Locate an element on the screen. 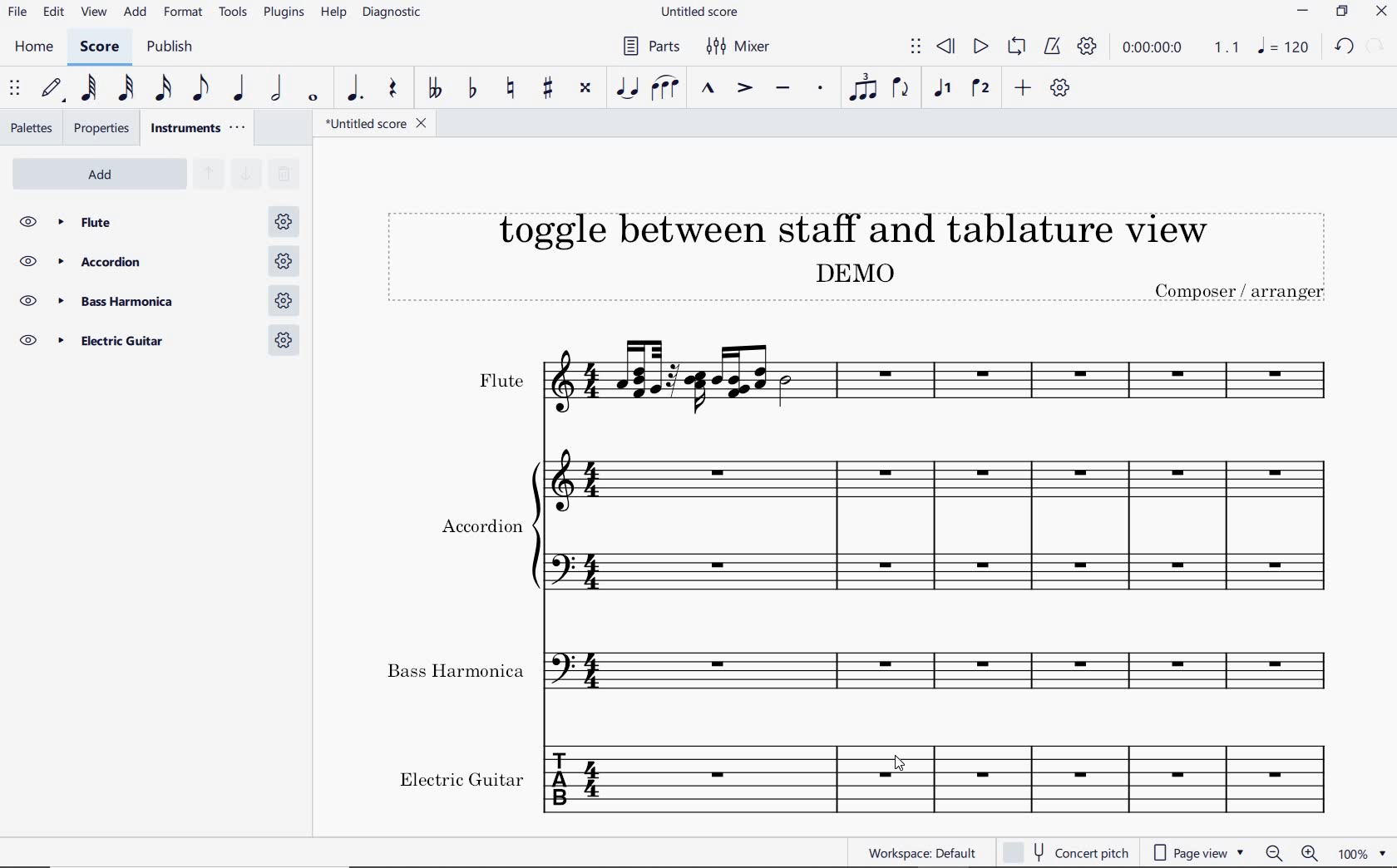  loop playback is located at coordinates (1019, 47).